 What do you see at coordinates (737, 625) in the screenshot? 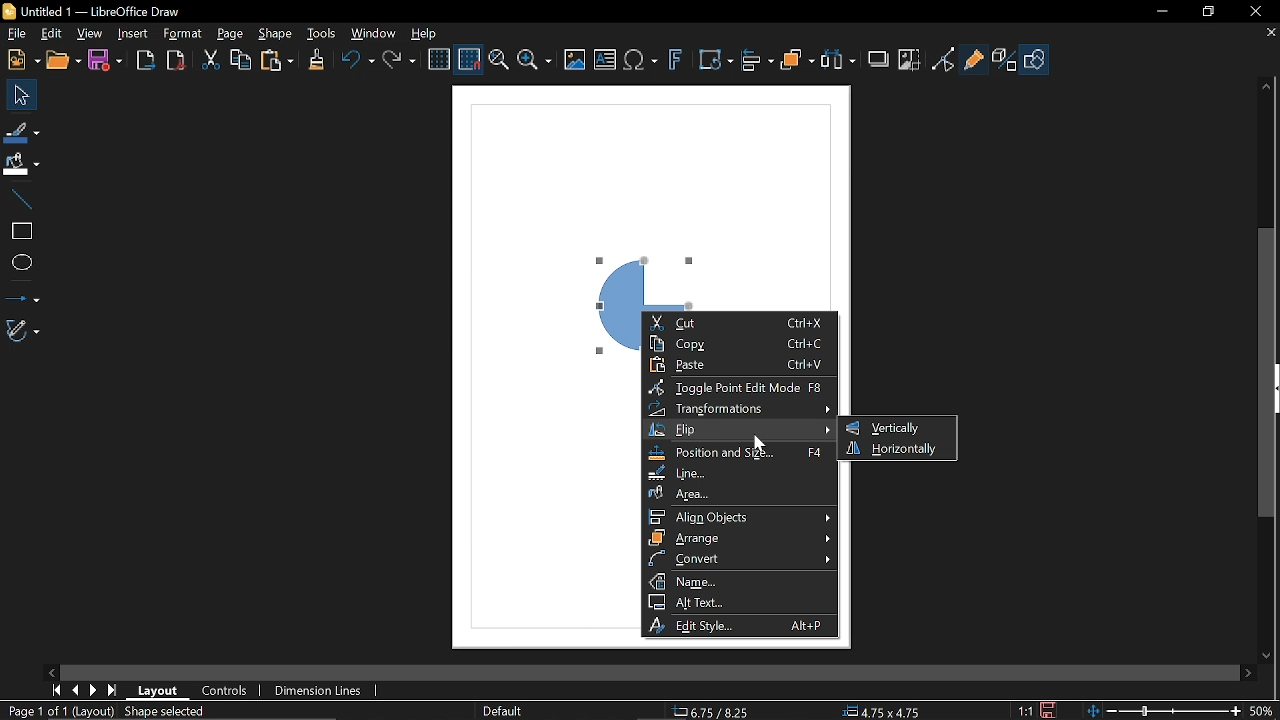
I see `Edit Style   Alt+P` at bounding box center [737, 625].